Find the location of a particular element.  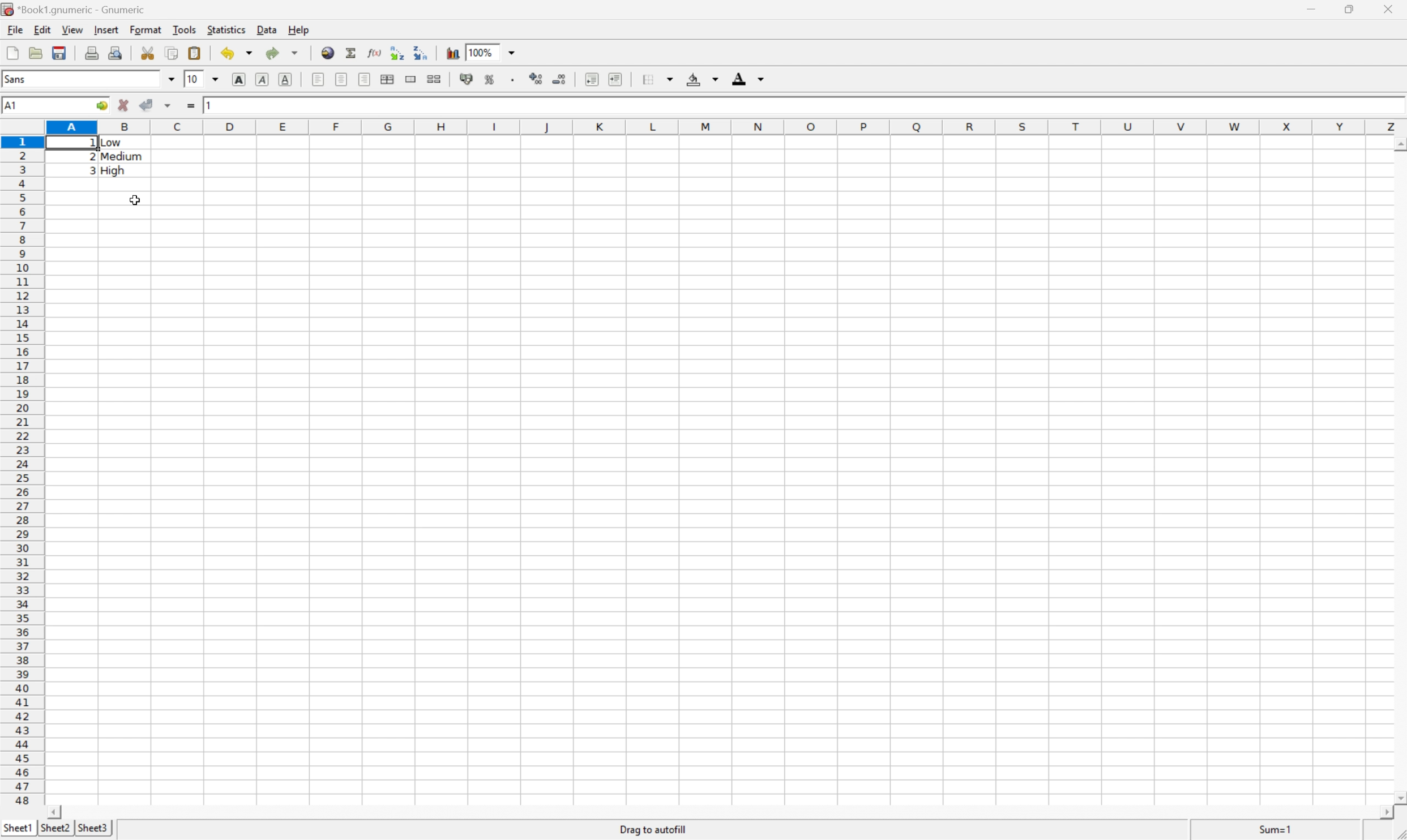

Data is located at coordinates (267, 30).